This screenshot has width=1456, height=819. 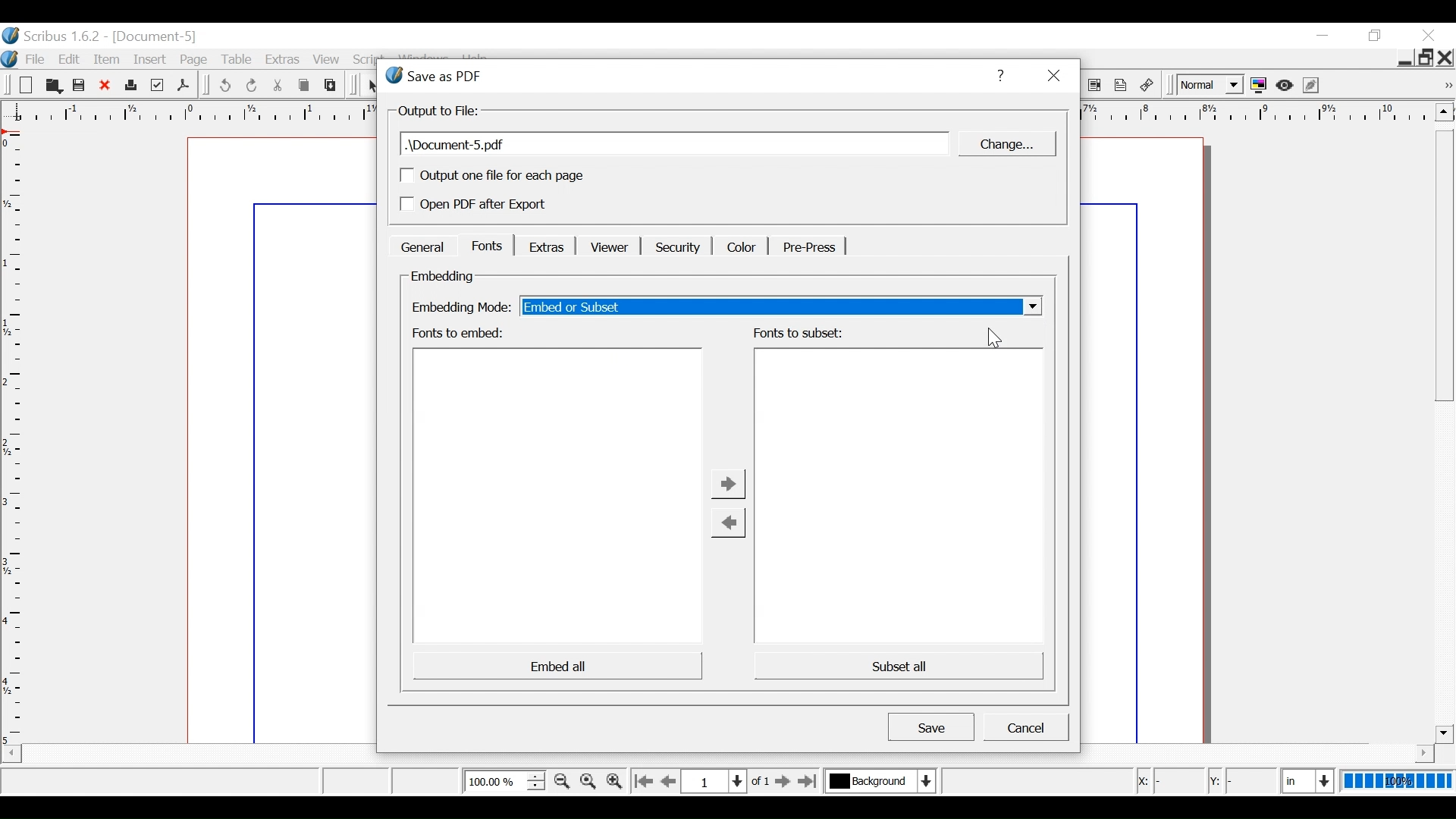 What do you see at coordinates (80, 86) in the screenshot?
I see `Save` at bounding box center [80, 86].